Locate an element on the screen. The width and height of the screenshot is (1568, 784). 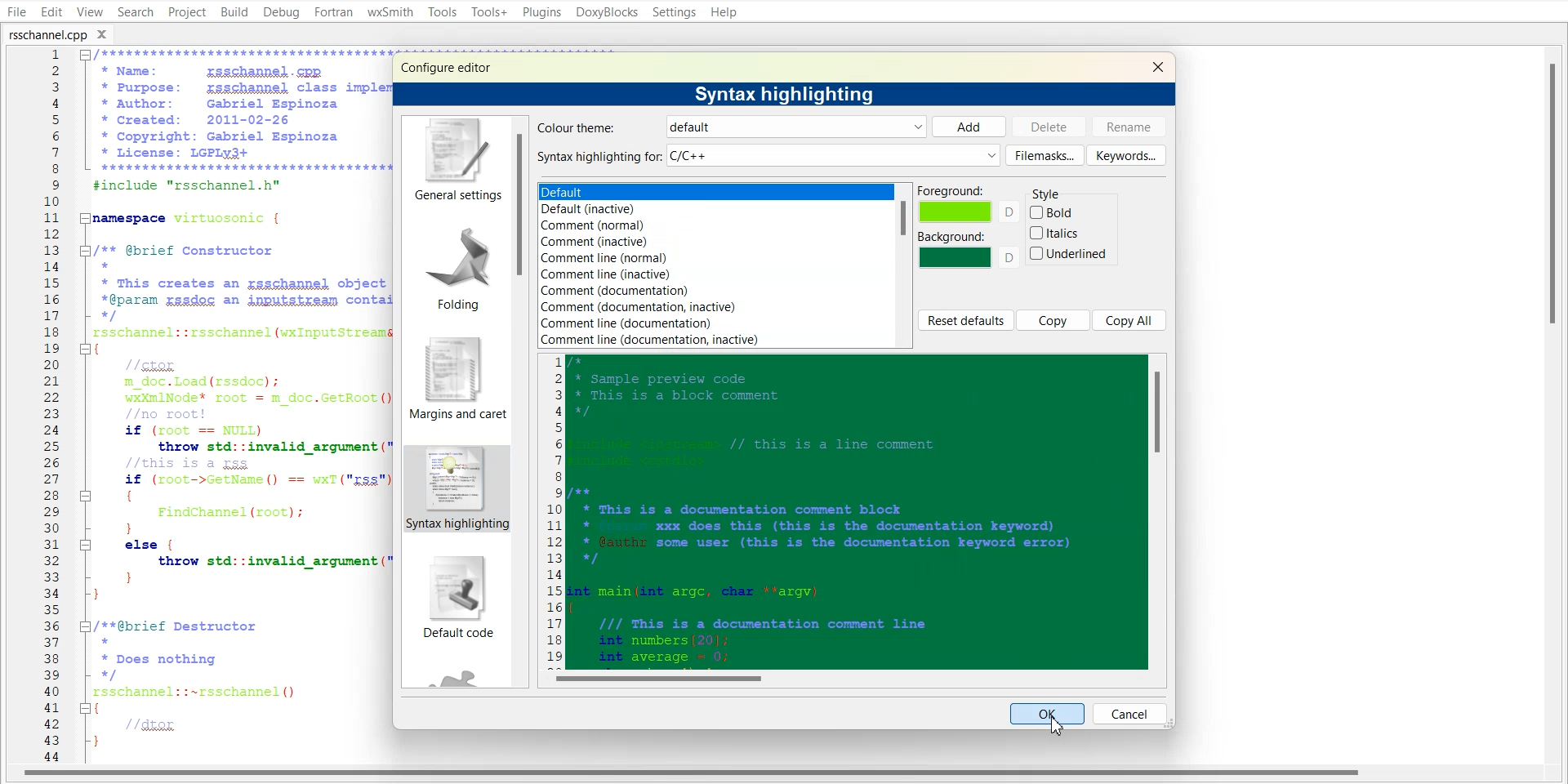
Underlined is located at coordinates (1069, 253).